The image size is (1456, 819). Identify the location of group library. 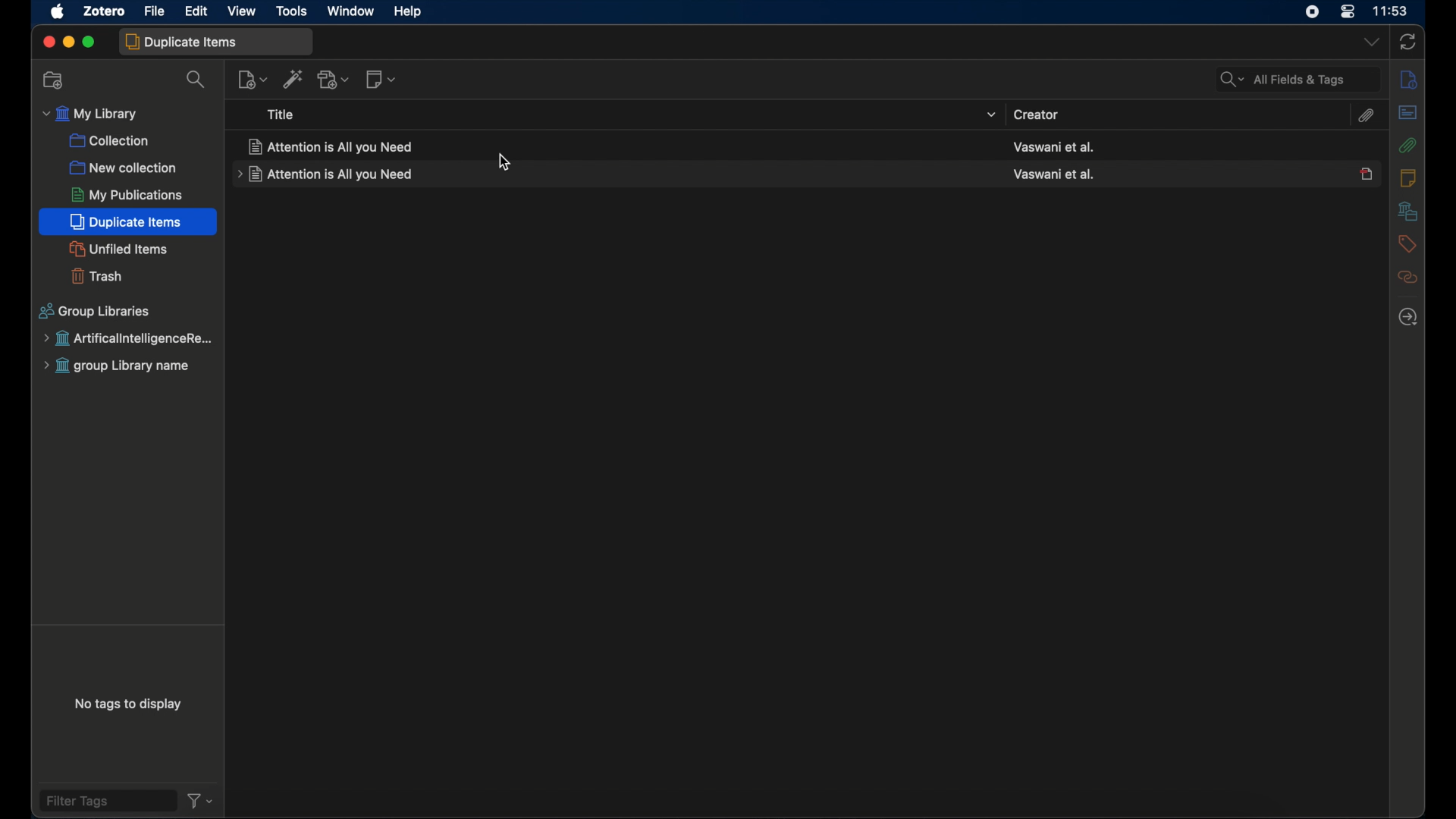
(123, 366).